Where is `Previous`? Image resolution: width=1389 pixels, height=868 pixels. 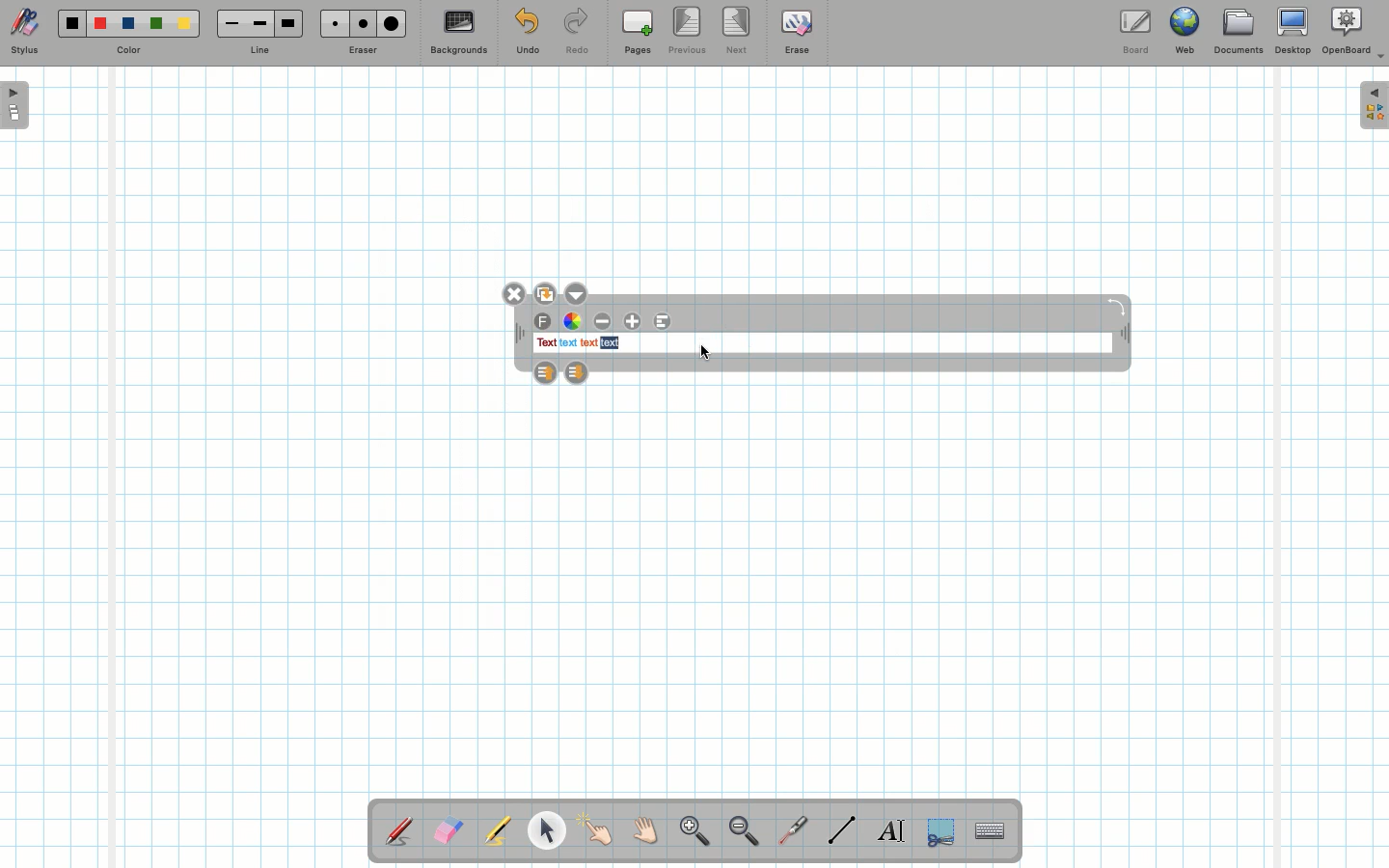
Previous is located at coordinates (689, 32).